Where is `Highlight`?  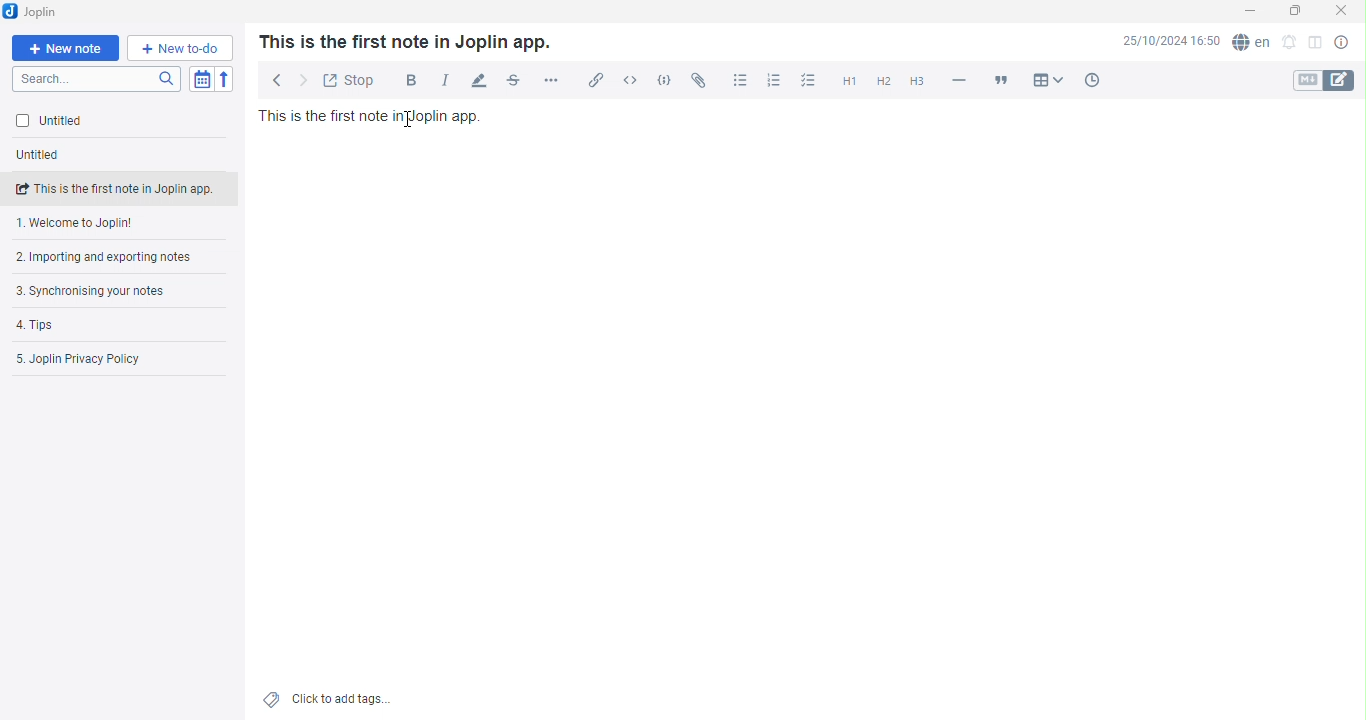
Highlight is located at coordinates (478, 81).